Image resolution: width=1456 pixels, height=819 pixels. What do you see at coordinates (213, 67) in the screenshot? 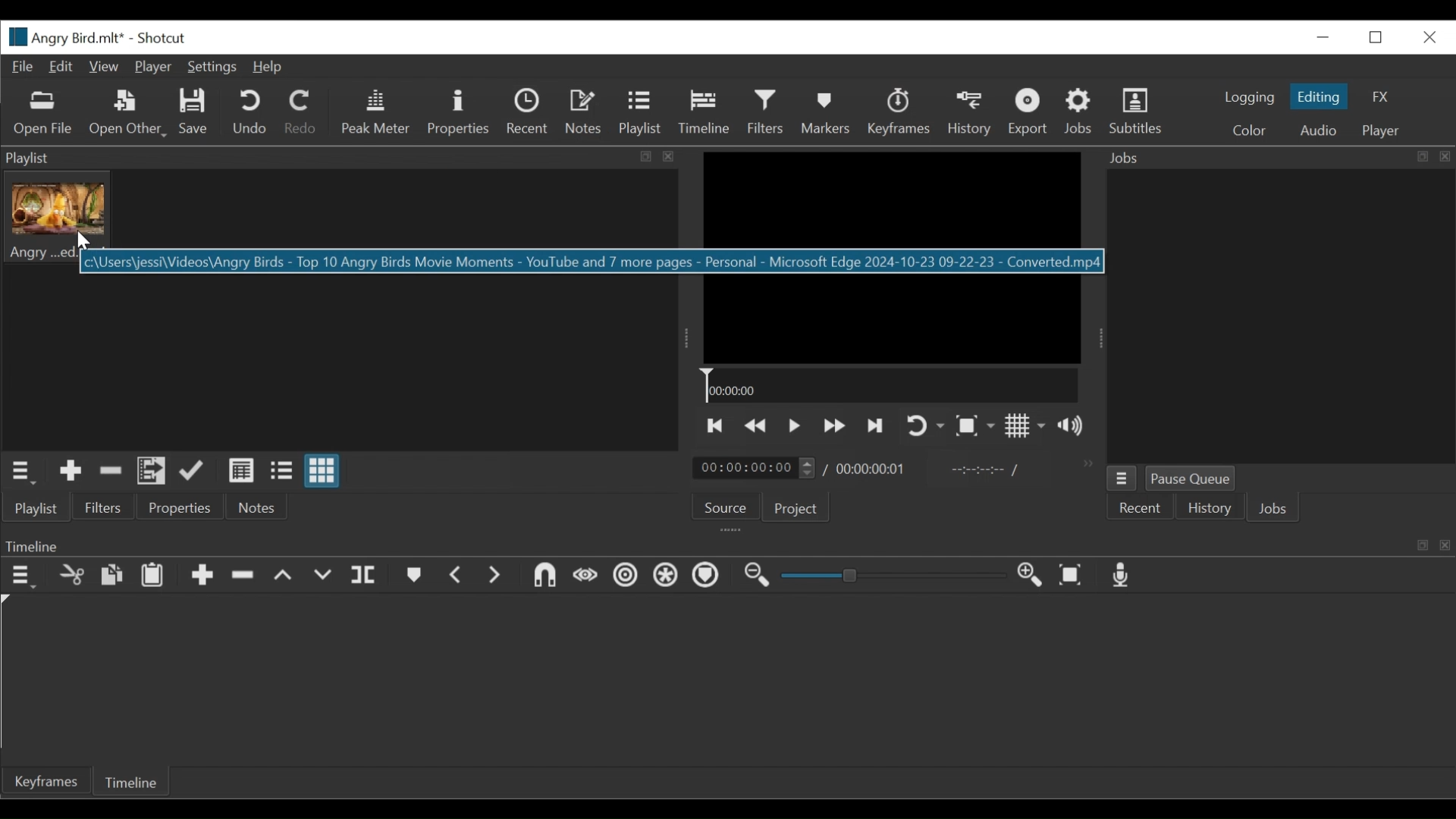
I see `Settings` at bounding box center [213, 67].